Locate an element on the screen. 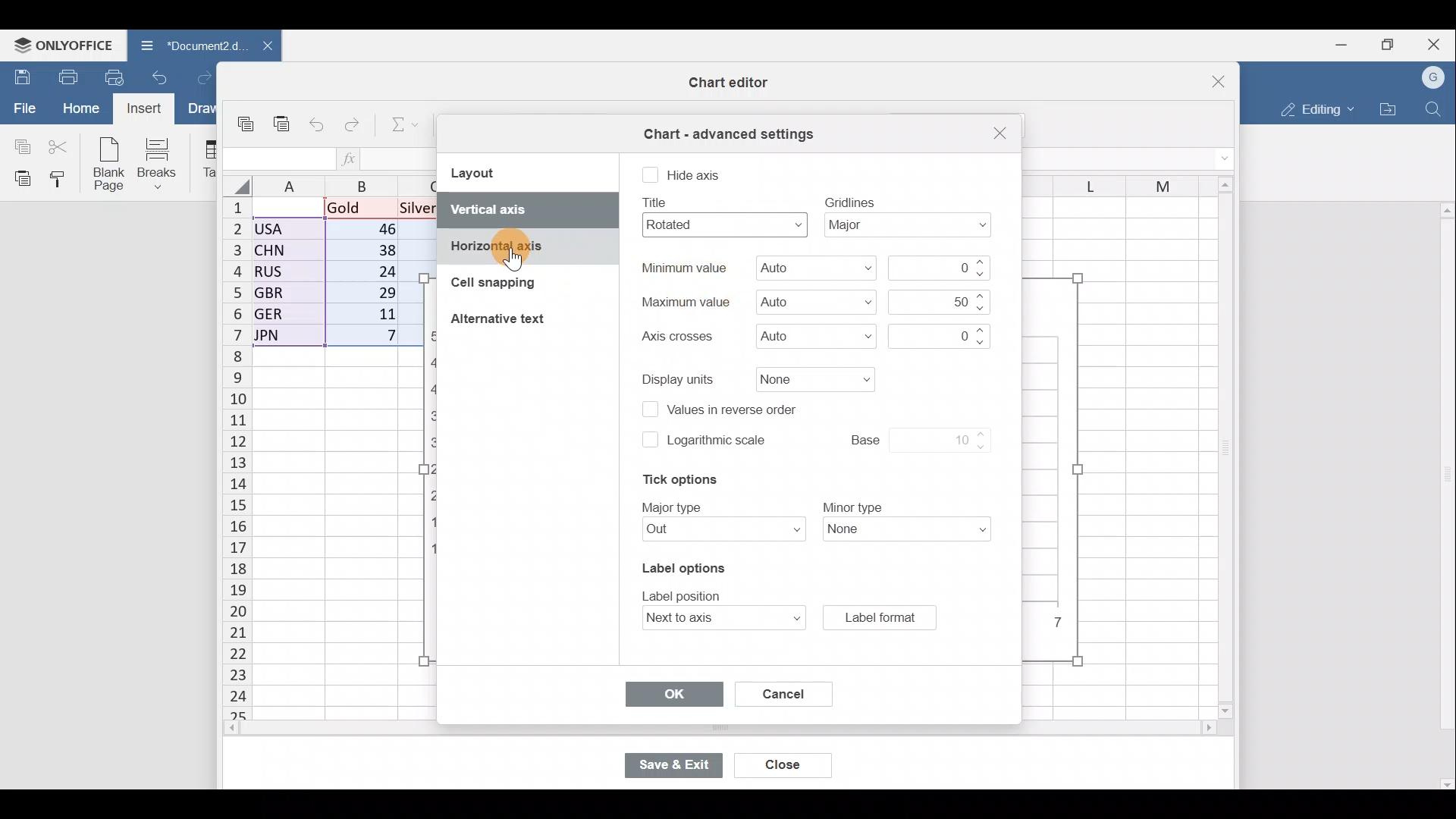 The width and height of the screenshot is (1456, 819). Insert function is located at coordinates (352, 158).